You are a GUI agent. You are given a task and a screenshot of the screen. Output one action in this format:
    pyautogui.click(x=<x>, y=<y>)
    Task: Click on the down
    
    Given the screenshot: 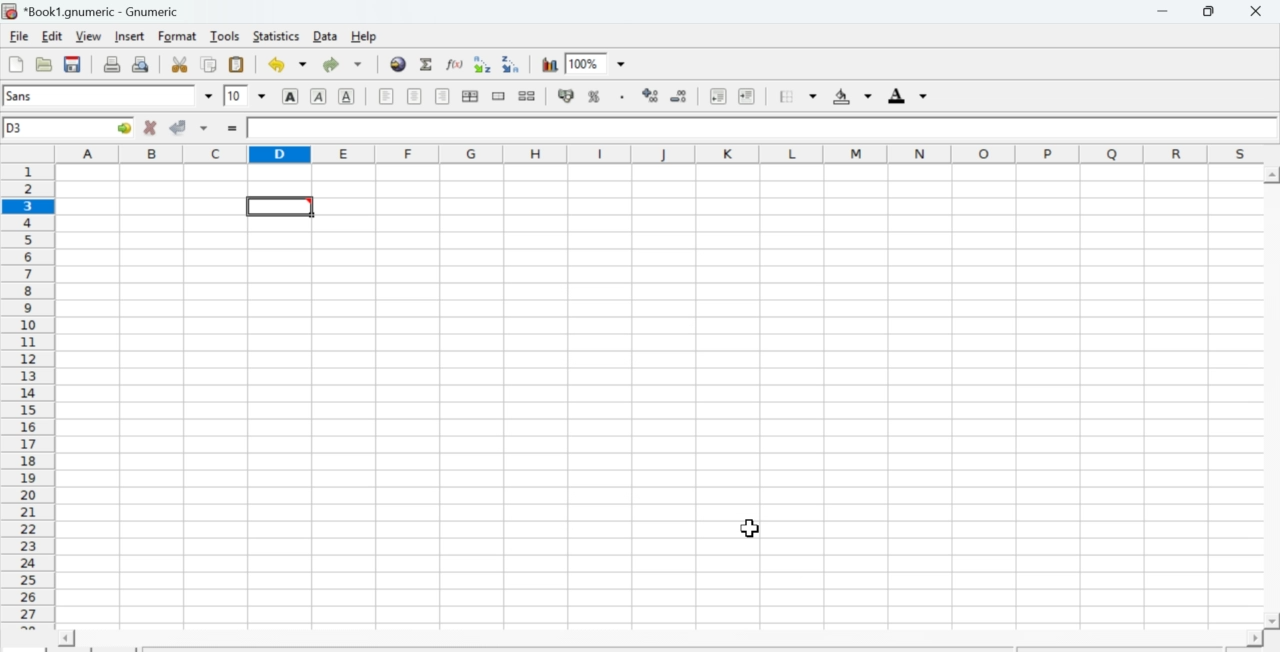 What is the action you would take?
    pyautogui.click(x=623, y=64)
    